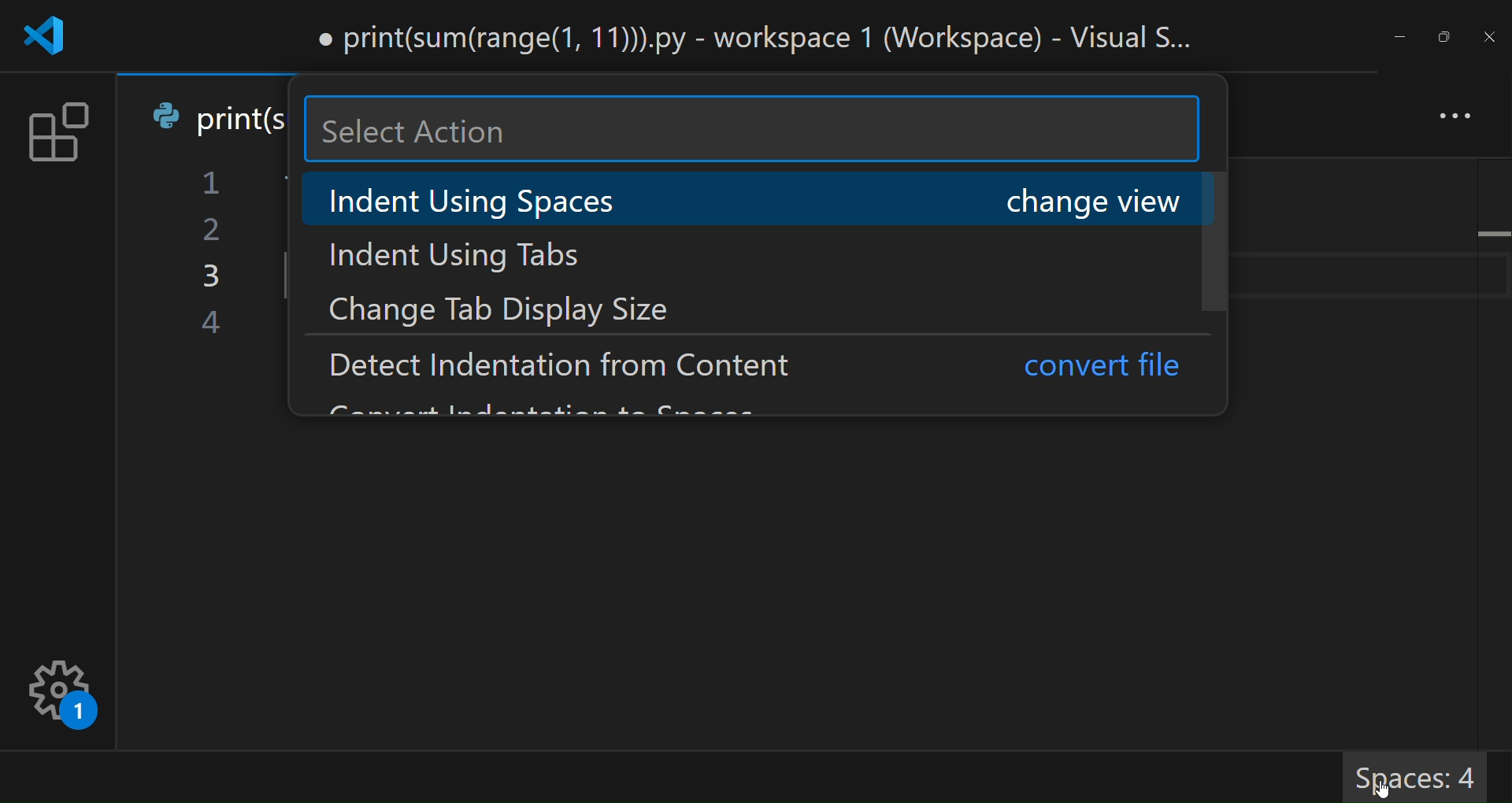 Image resolution: width=1512 pixels, height=803 pixels. I want to click on settings, so click(61, 697).